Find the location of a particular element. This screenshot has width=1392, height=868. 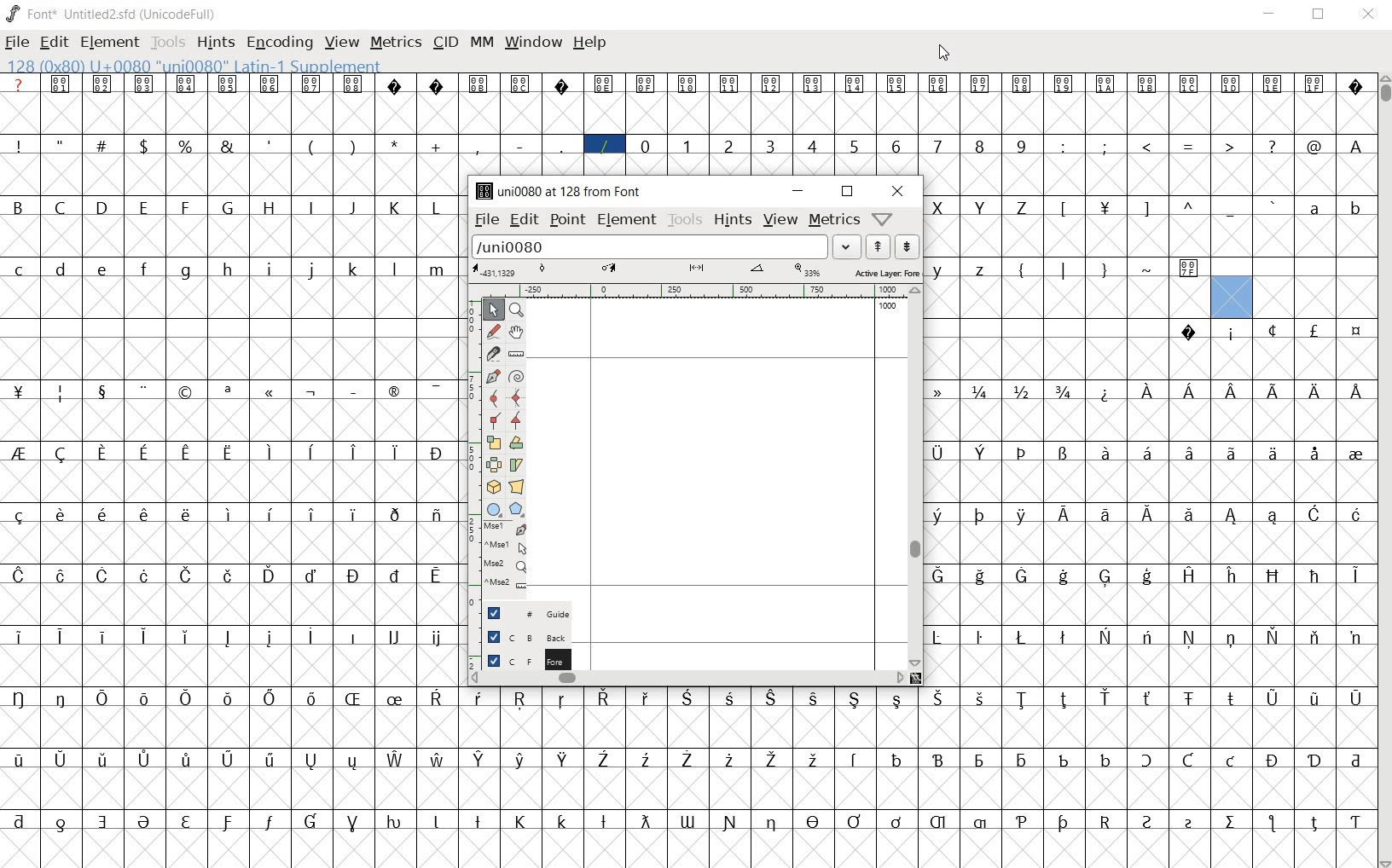

CID is located at coordinates (445, 43).